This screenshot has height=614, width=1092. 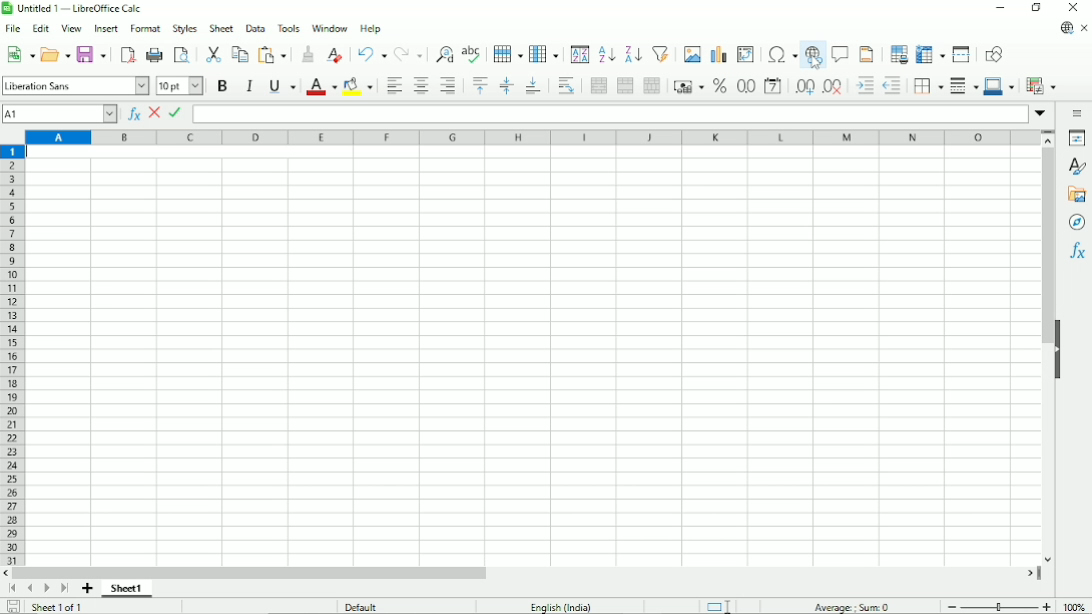 What do you see at coordinates (274, 54) in the screenshot?
I see `Paste` at bounding box center [274, 54].